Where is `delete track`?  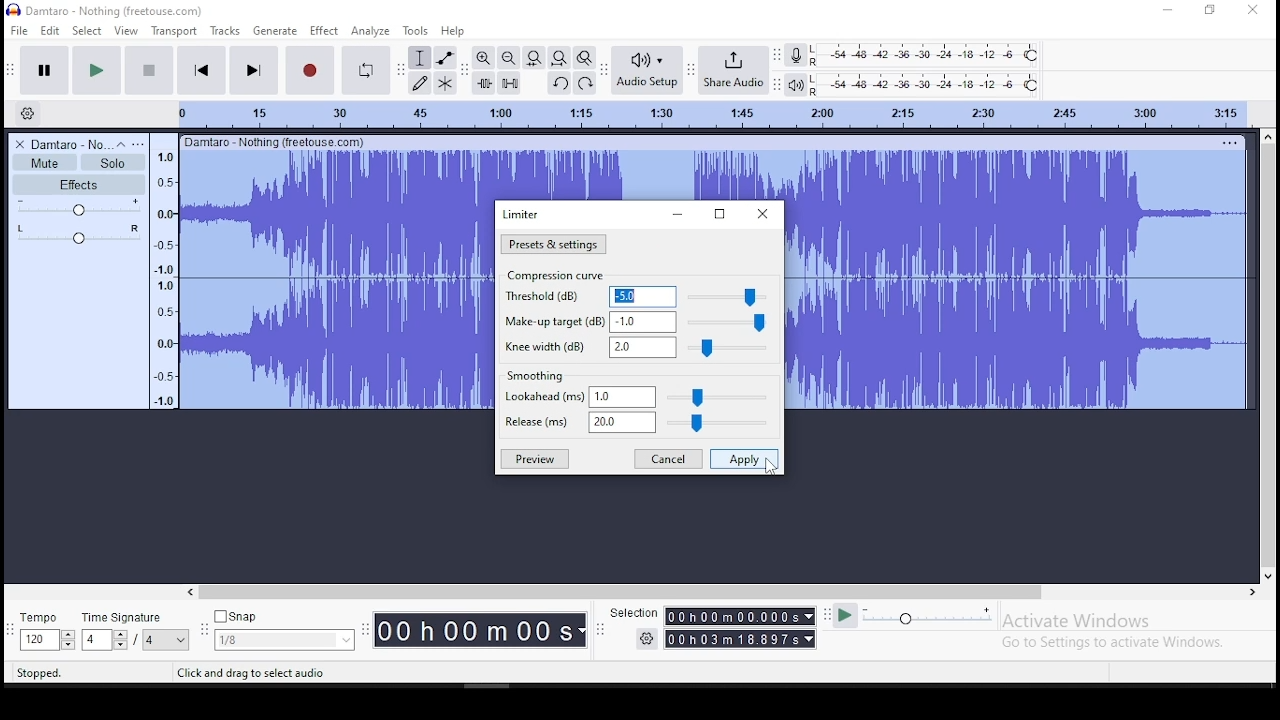 delete track is located at coordinates (16, 144).